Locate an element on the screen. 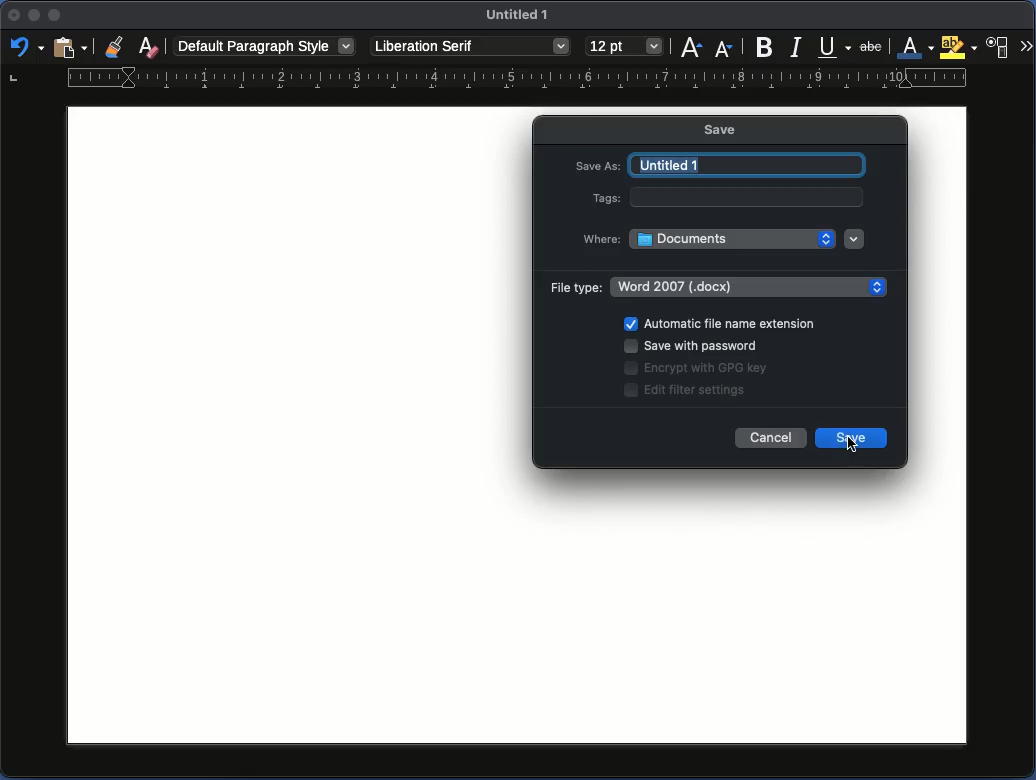 The width and height of the screenshot is (1036, 780). Save with password is located at coordinates (694, 344).